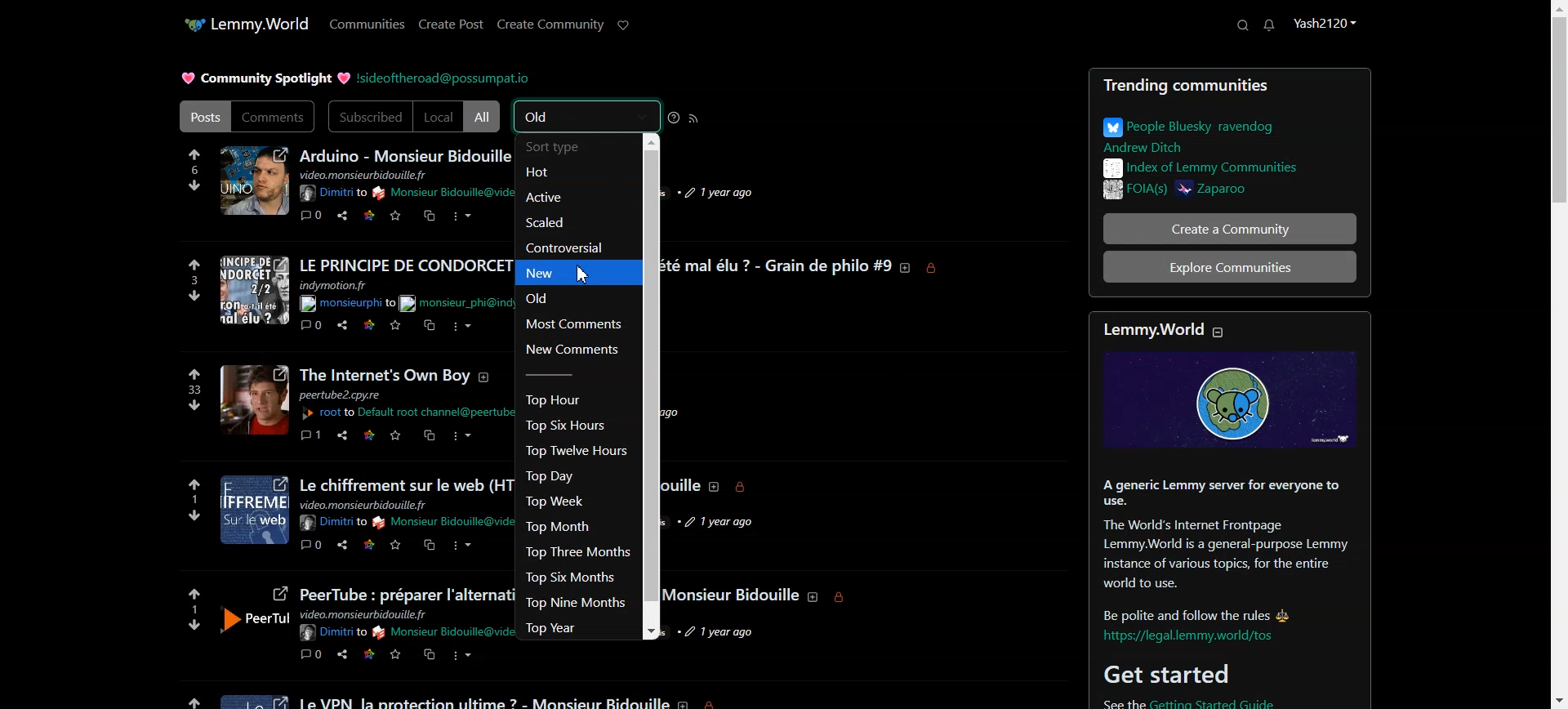  Describe the element at coordinates (344, 654) in the screenshot. I see `` at that location.